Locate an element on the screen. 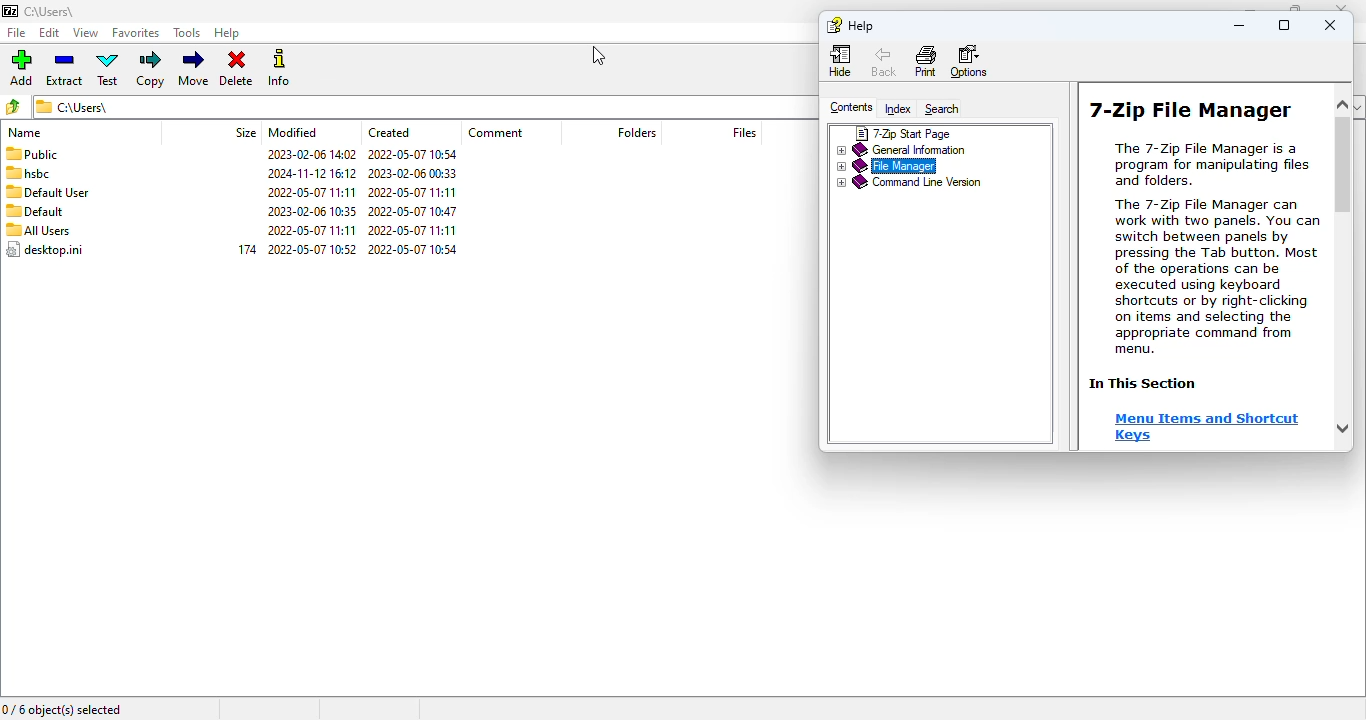 Image resolution: width=1366 pixels, height=720 pixels. size is located at coordinates (248, 249).